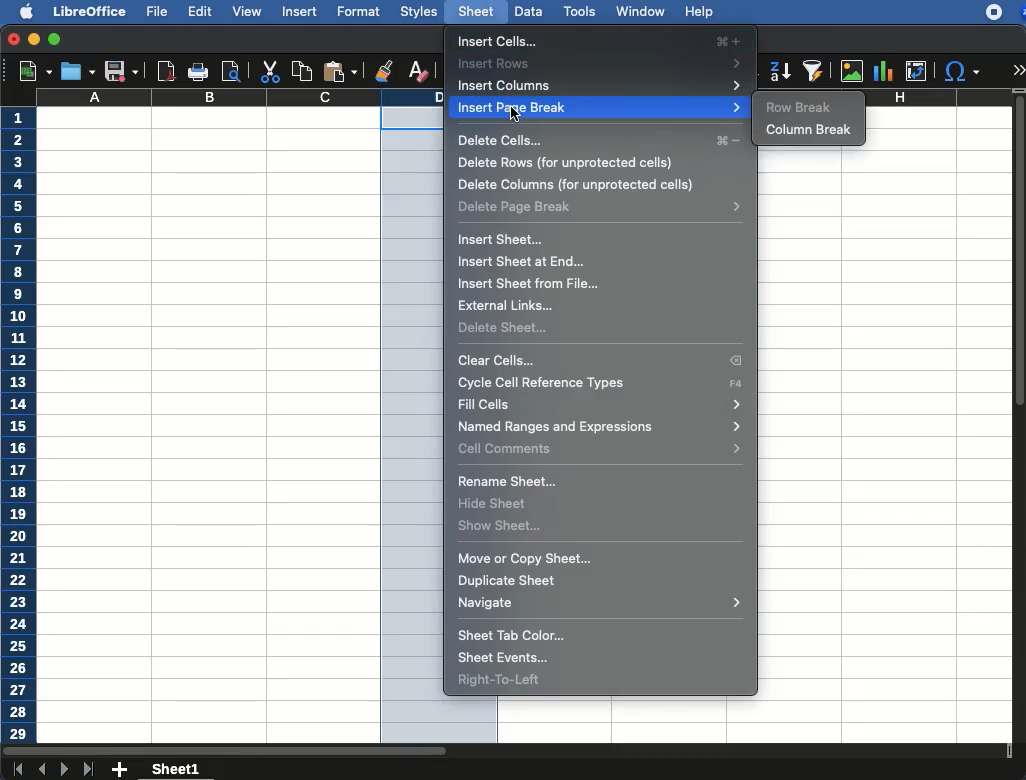  Describe the element at coordinates (800, 108) in the screenshot. I see `row break` at that location.